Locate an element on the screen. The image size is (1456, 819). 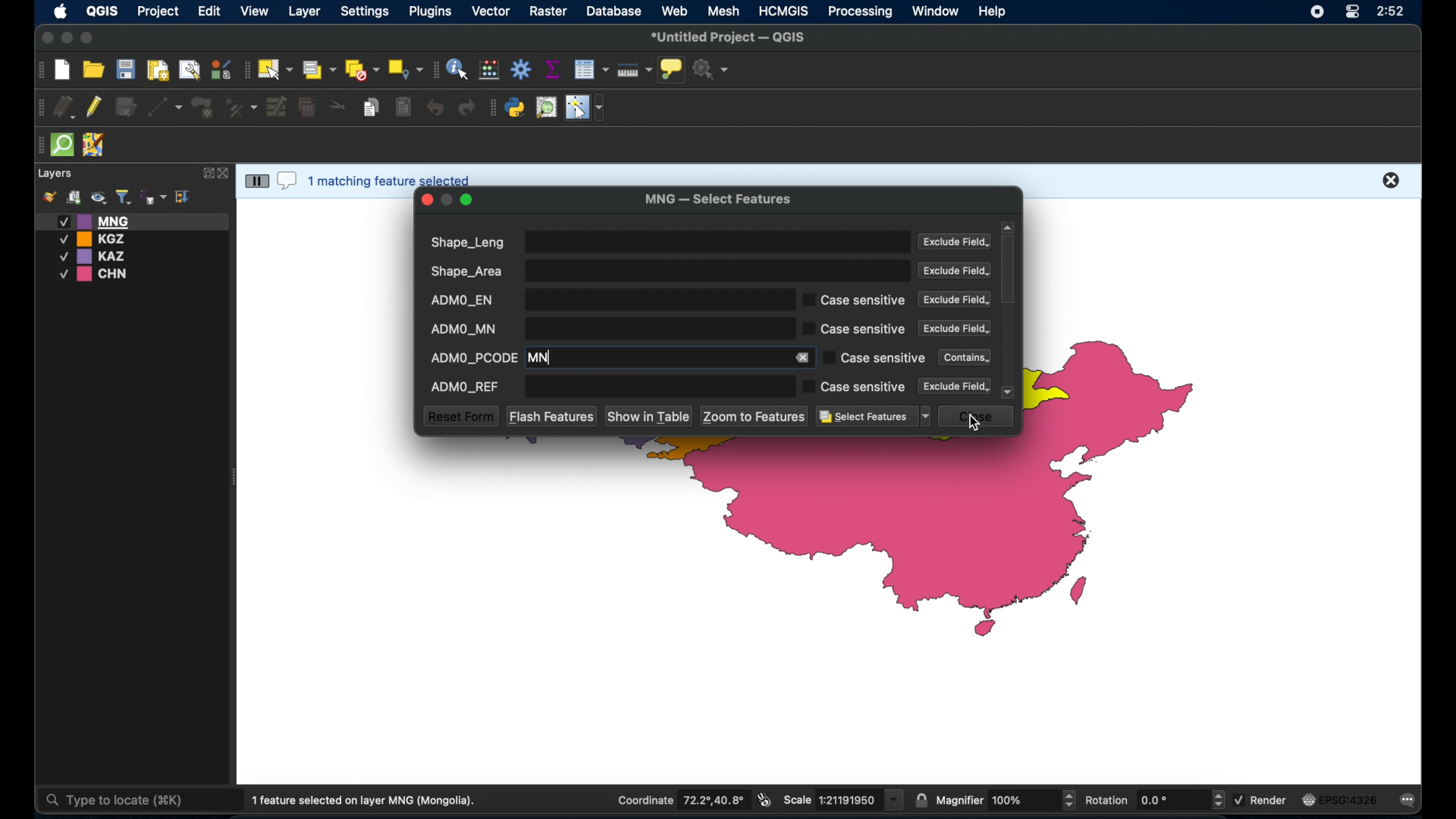
delete selected is located at coordinates (403, 107).